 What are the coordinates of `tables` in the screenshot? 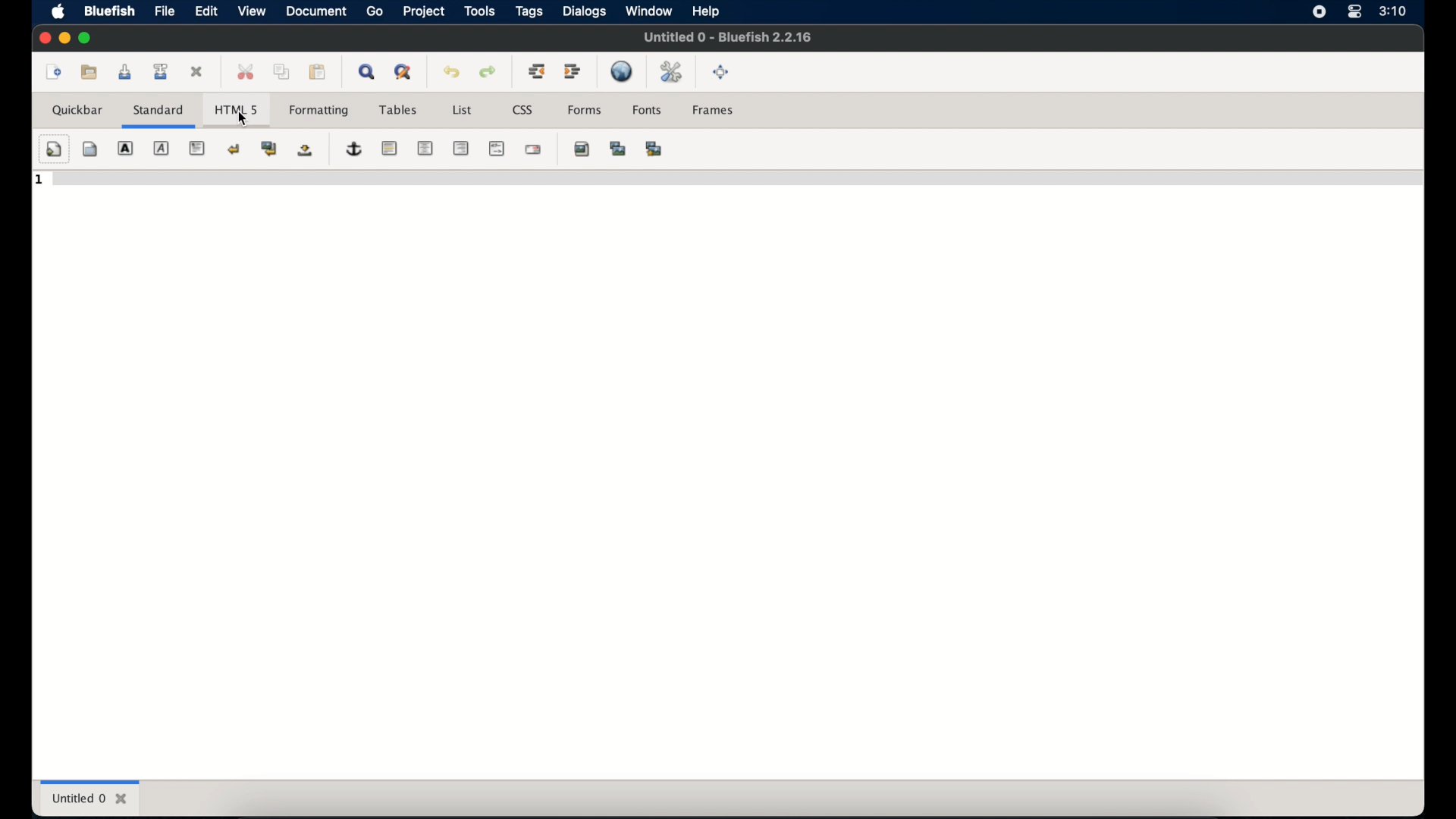 It's located at (398, 110).